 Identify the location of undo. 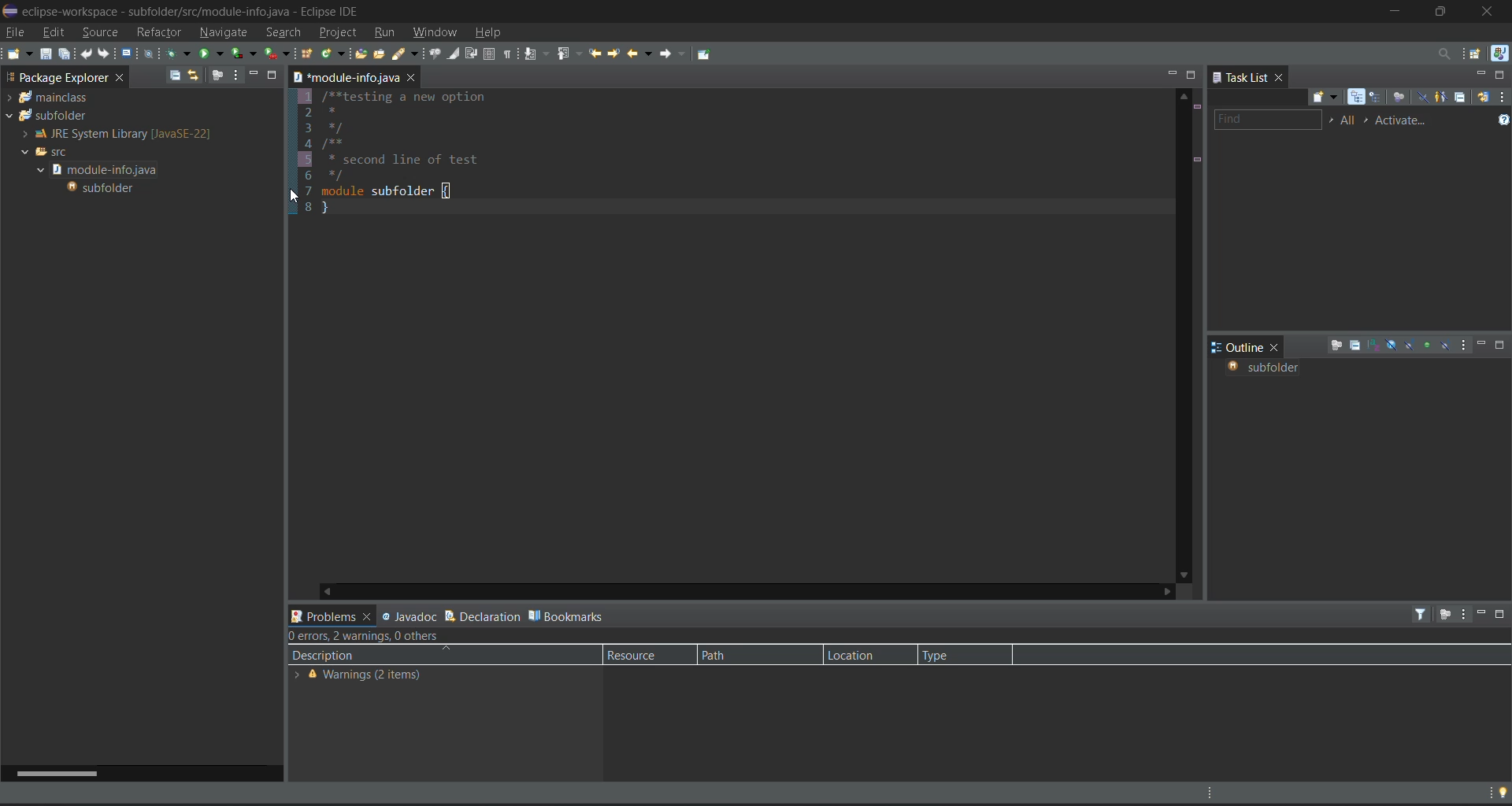
(88, 54).